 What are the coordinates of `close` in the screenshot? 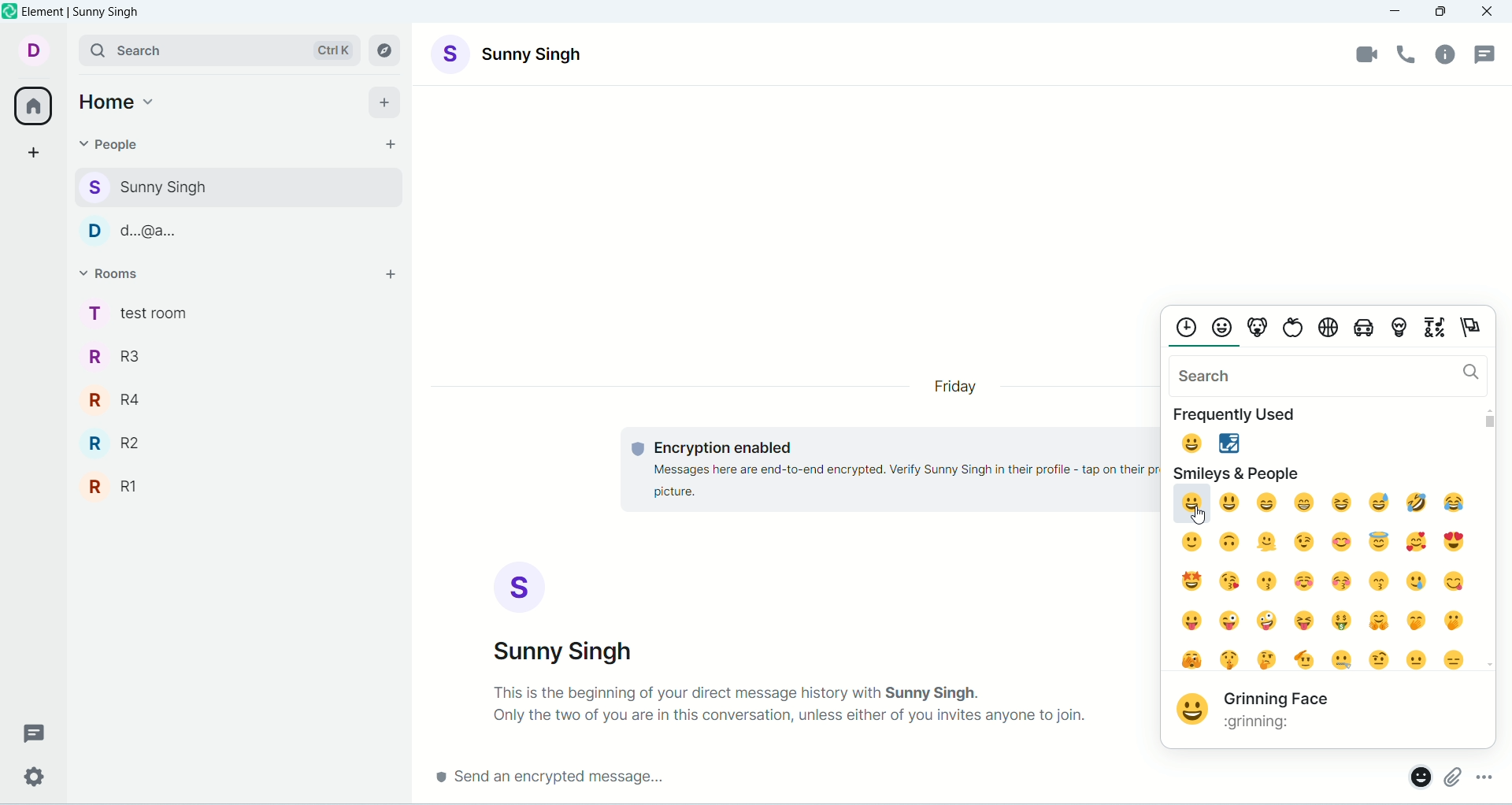 It's located at (1489, 12).